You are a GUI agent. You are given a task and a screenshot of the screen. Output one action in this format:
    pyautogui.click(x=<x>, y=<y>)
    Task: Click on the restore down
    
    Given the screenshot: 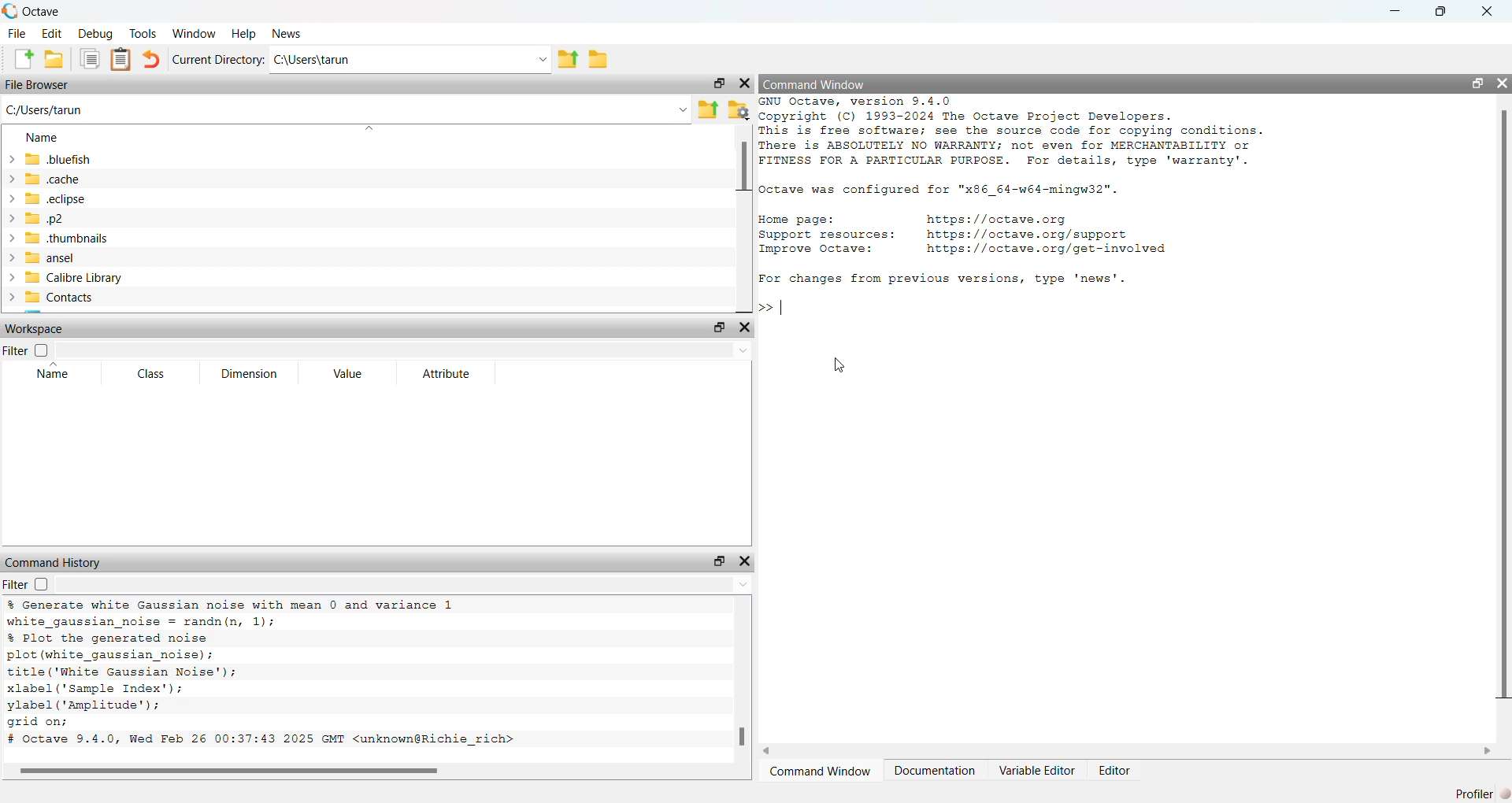 What is the action you would take?
    pyautogui.click(x=1480, y=85)
    